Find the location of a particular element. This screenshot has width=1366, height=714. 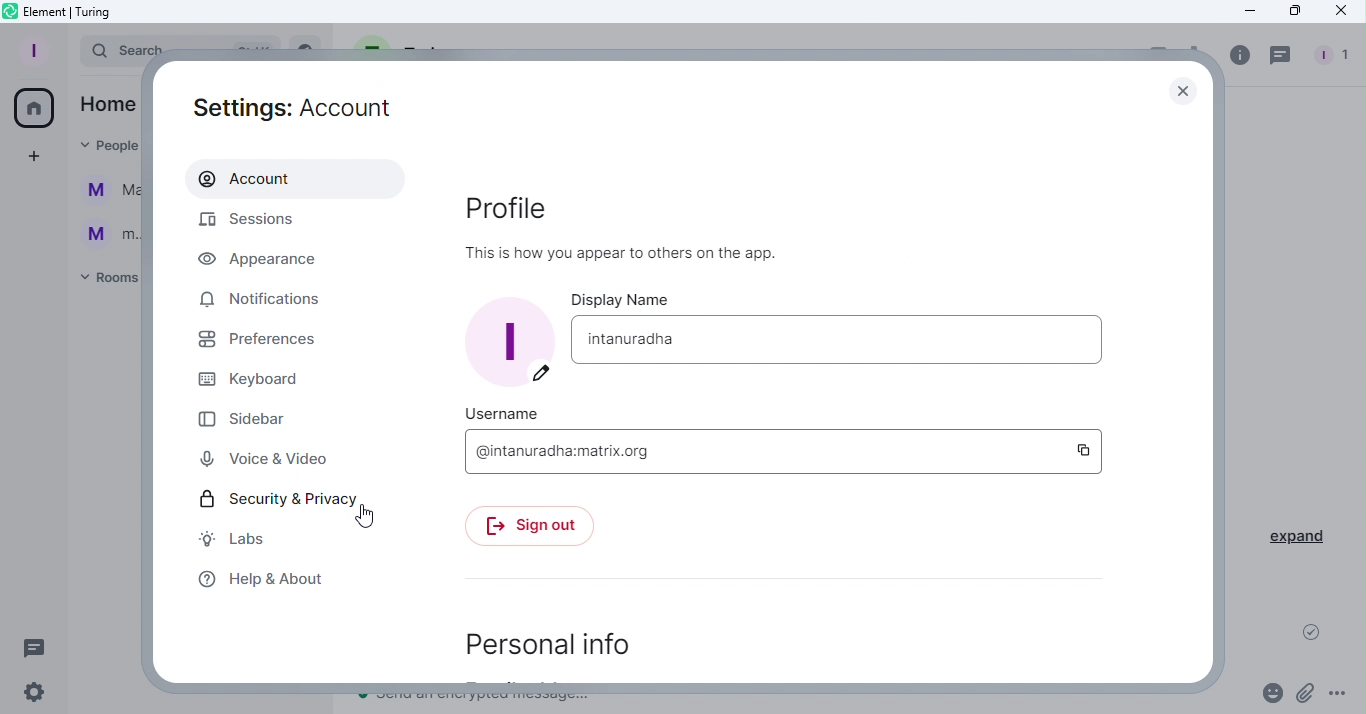

Minimize is located at coordinates (1244, 13).